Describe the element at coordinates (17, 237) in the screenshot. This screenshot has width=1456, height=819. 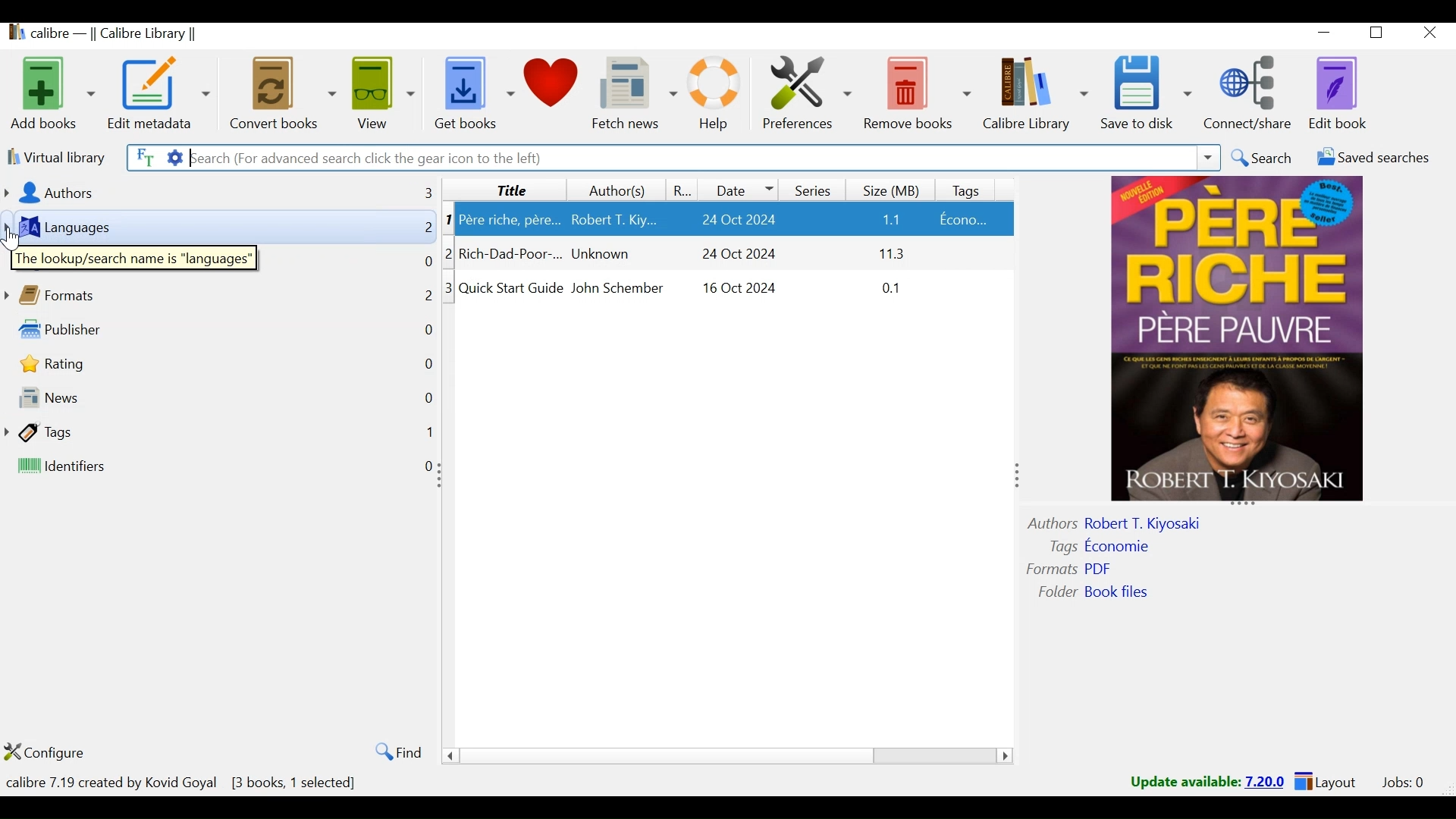
I see `cursor` at that location.